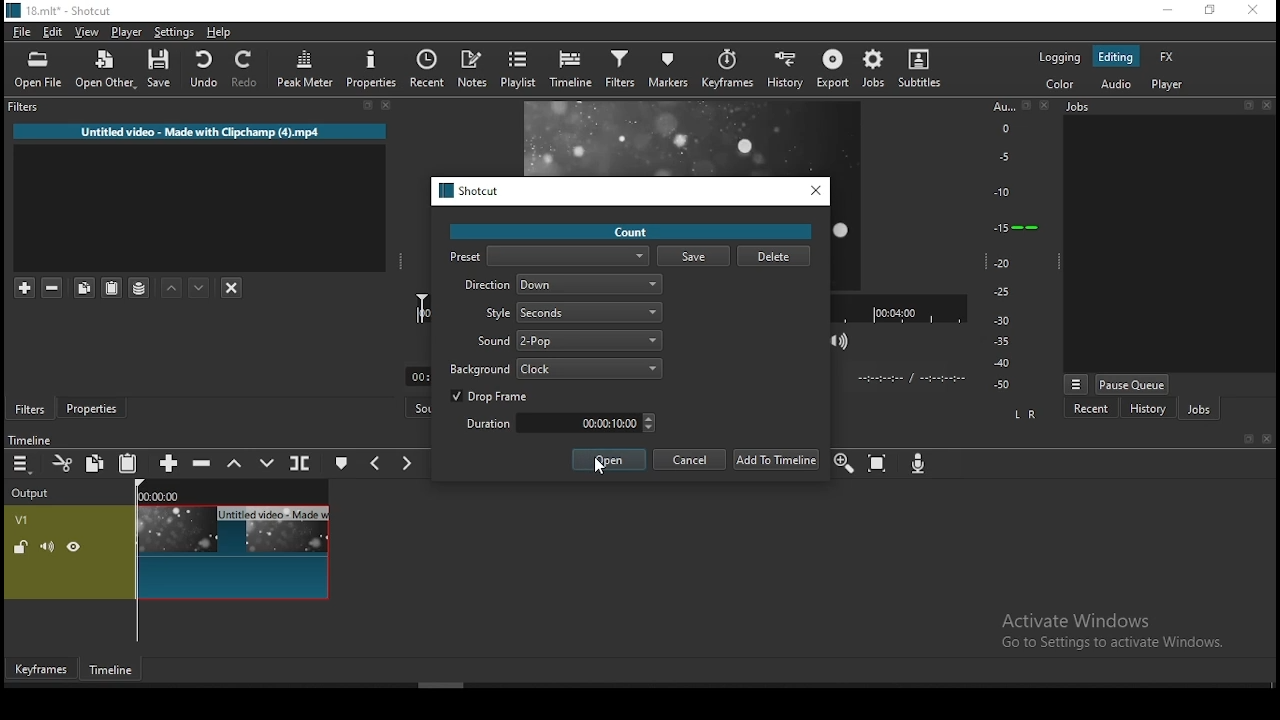  What do you see at coordinates (787, 68) in the screenshot?
I see `history` at bounding box center [787, 68].